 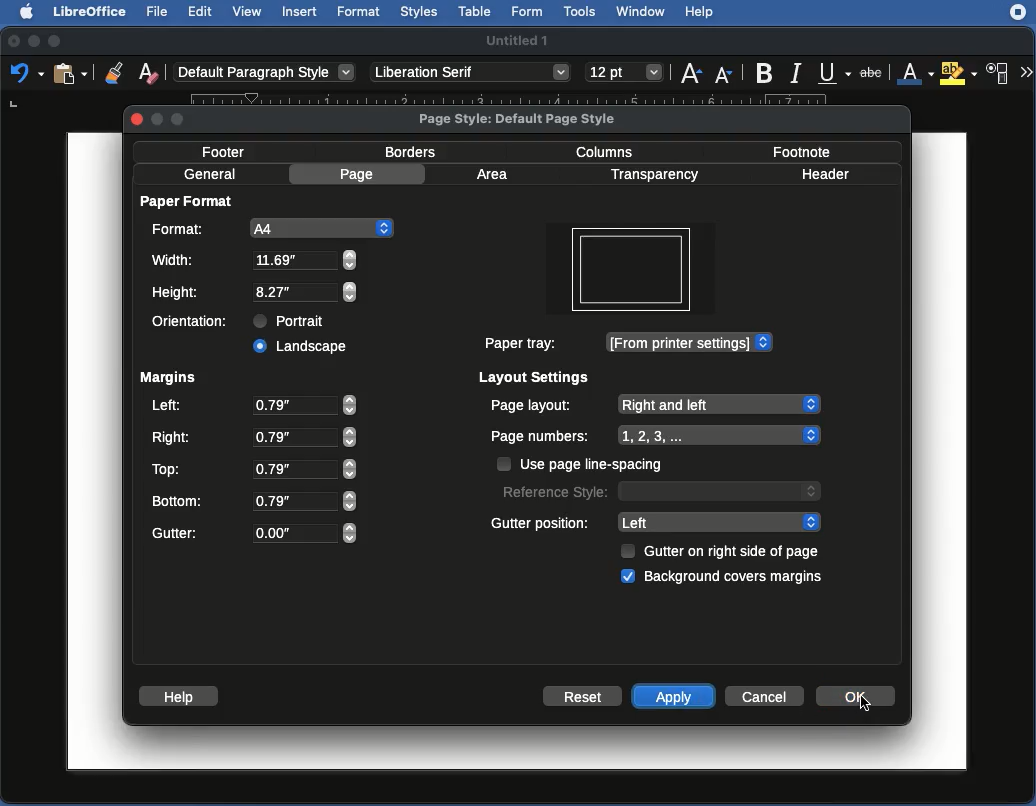 I want to click on Page layout, so click(x=655, y=405).